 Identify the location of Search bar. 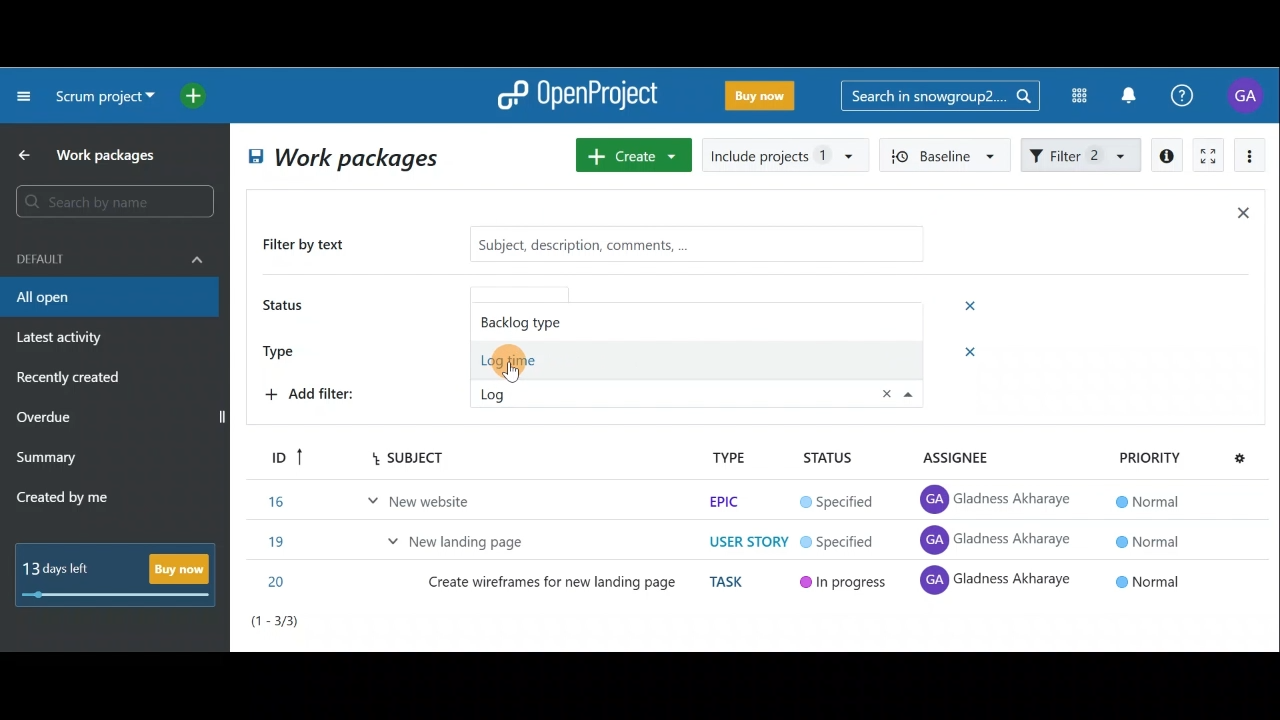
(940, 94).